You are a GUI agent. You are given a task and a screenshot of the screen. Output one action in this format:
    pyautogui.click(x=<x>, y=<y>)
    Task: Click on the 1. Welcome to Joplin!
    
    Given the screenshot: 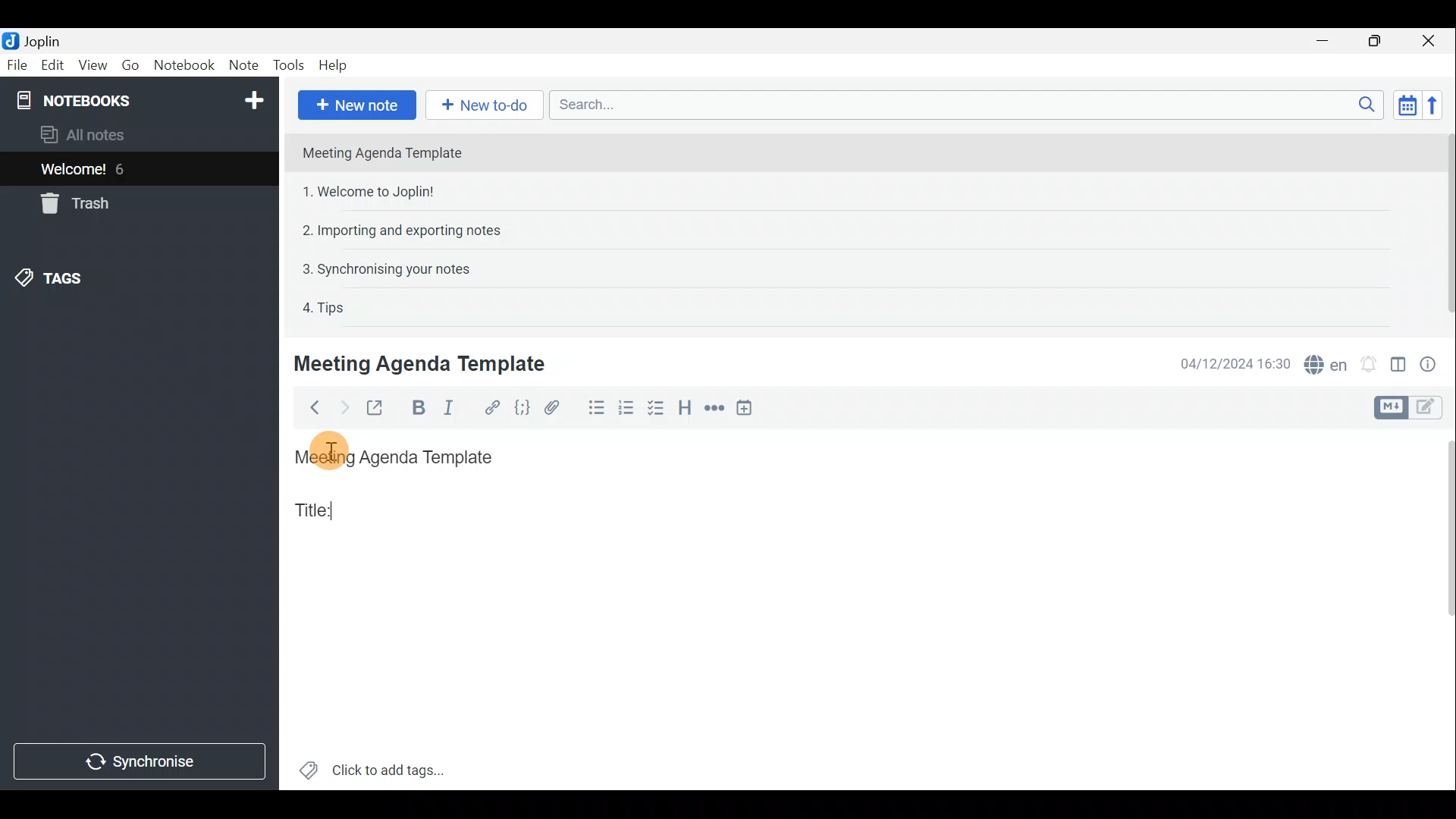 What is the action you would take?
    pyautogui.click(x=373, y=191)
    